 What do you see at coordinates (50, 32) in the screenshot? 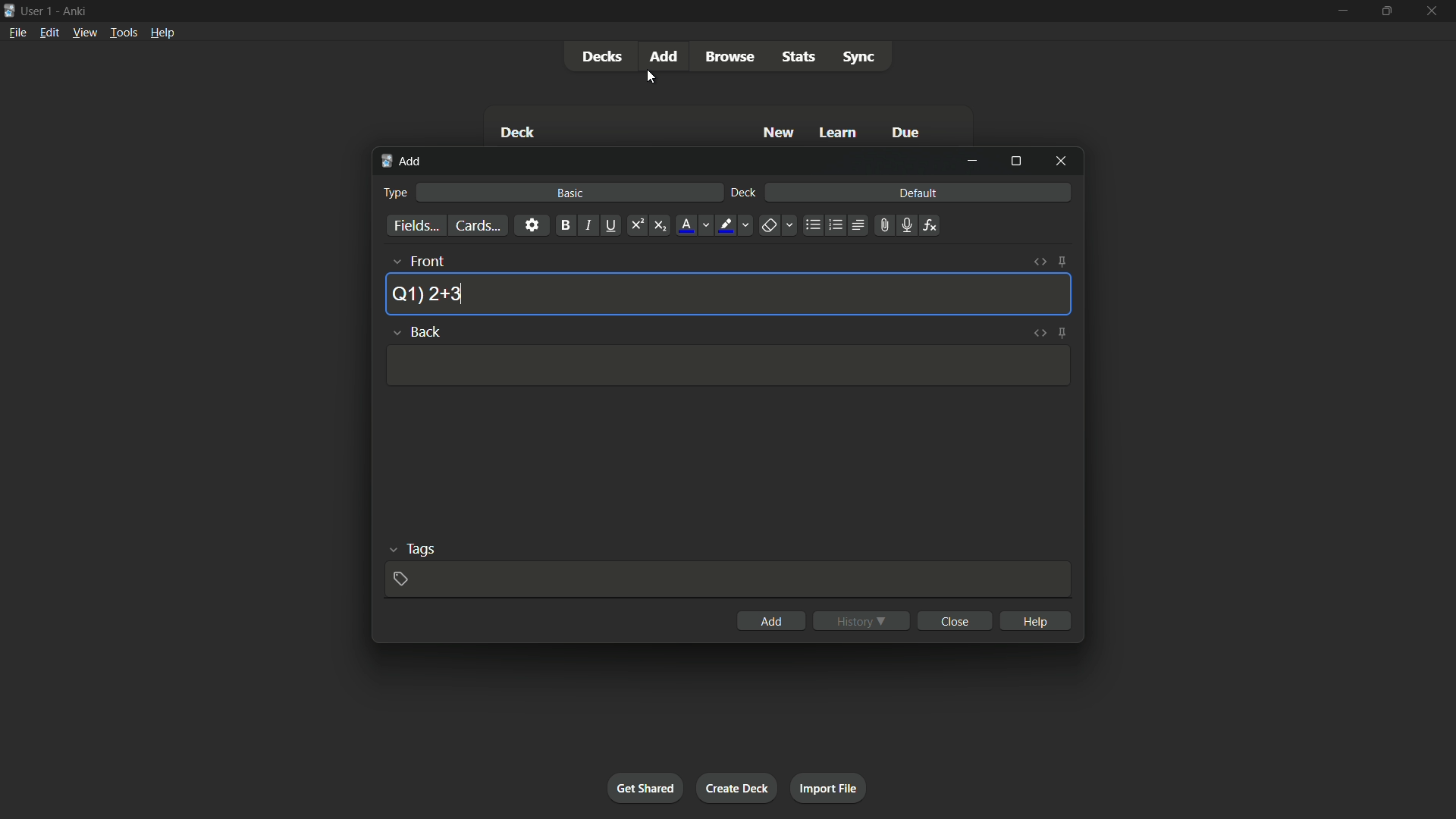
I see `edit menu` at bounding box center [50, 32].